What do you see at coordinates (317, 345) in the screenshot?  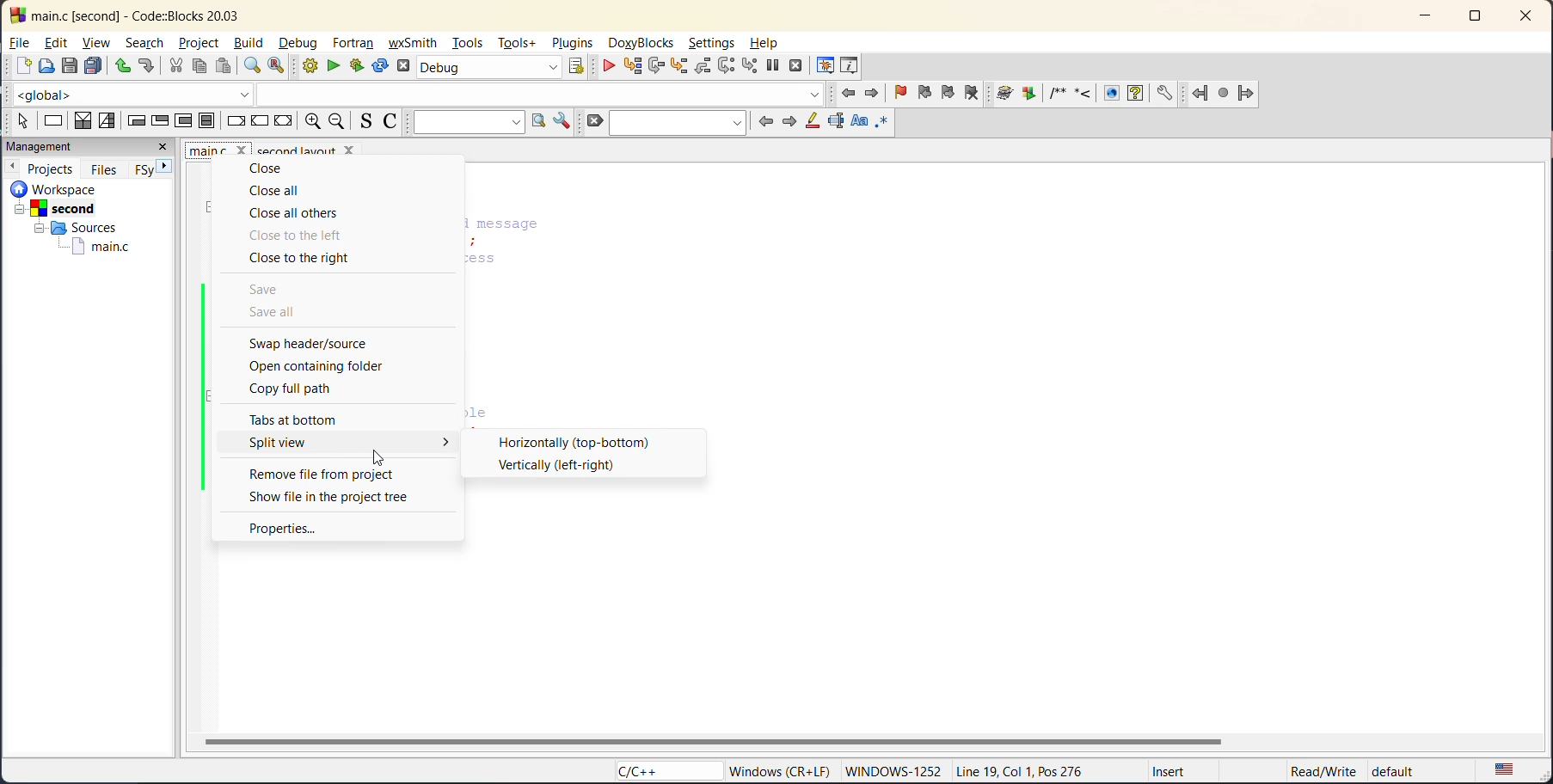 I see `swap header` at bounding box center [317, 345].